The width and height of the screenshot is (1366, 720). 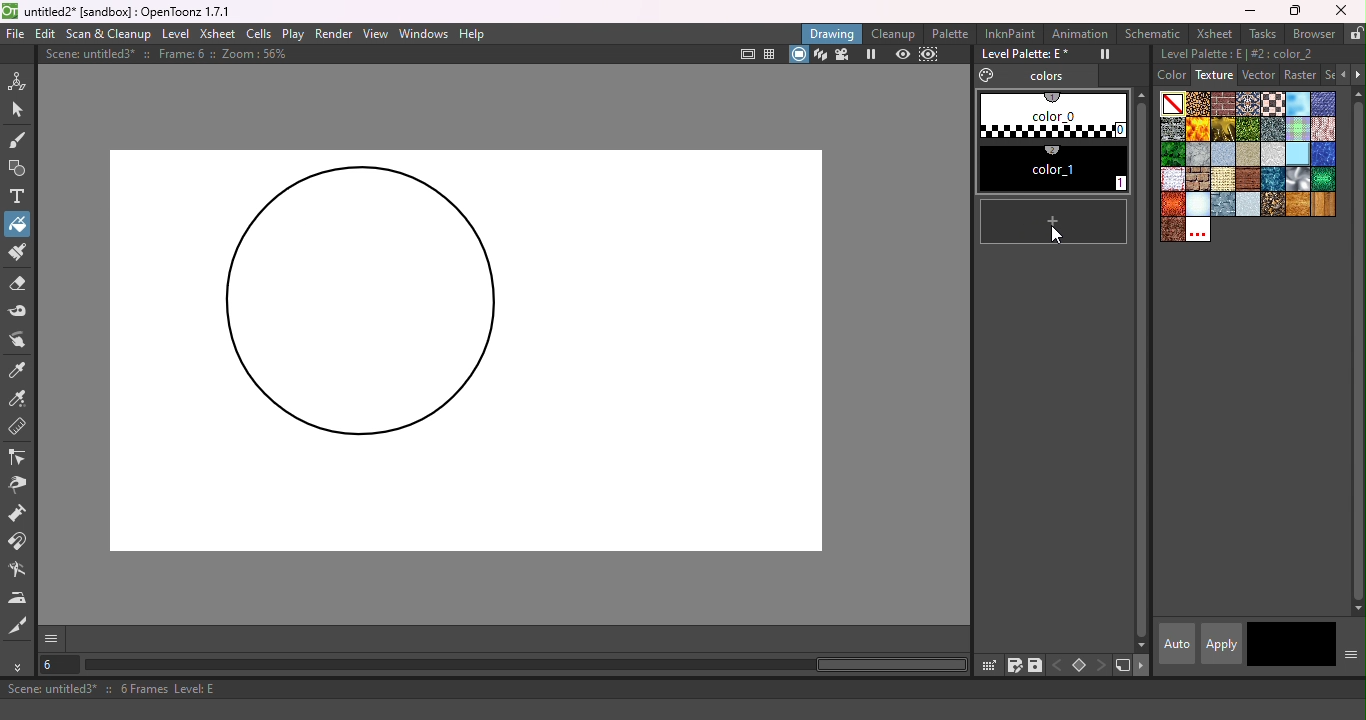 What do you see at coordinates (20, 667) in the screenshot?
I see `More tools` at bounding box center [20, 667].